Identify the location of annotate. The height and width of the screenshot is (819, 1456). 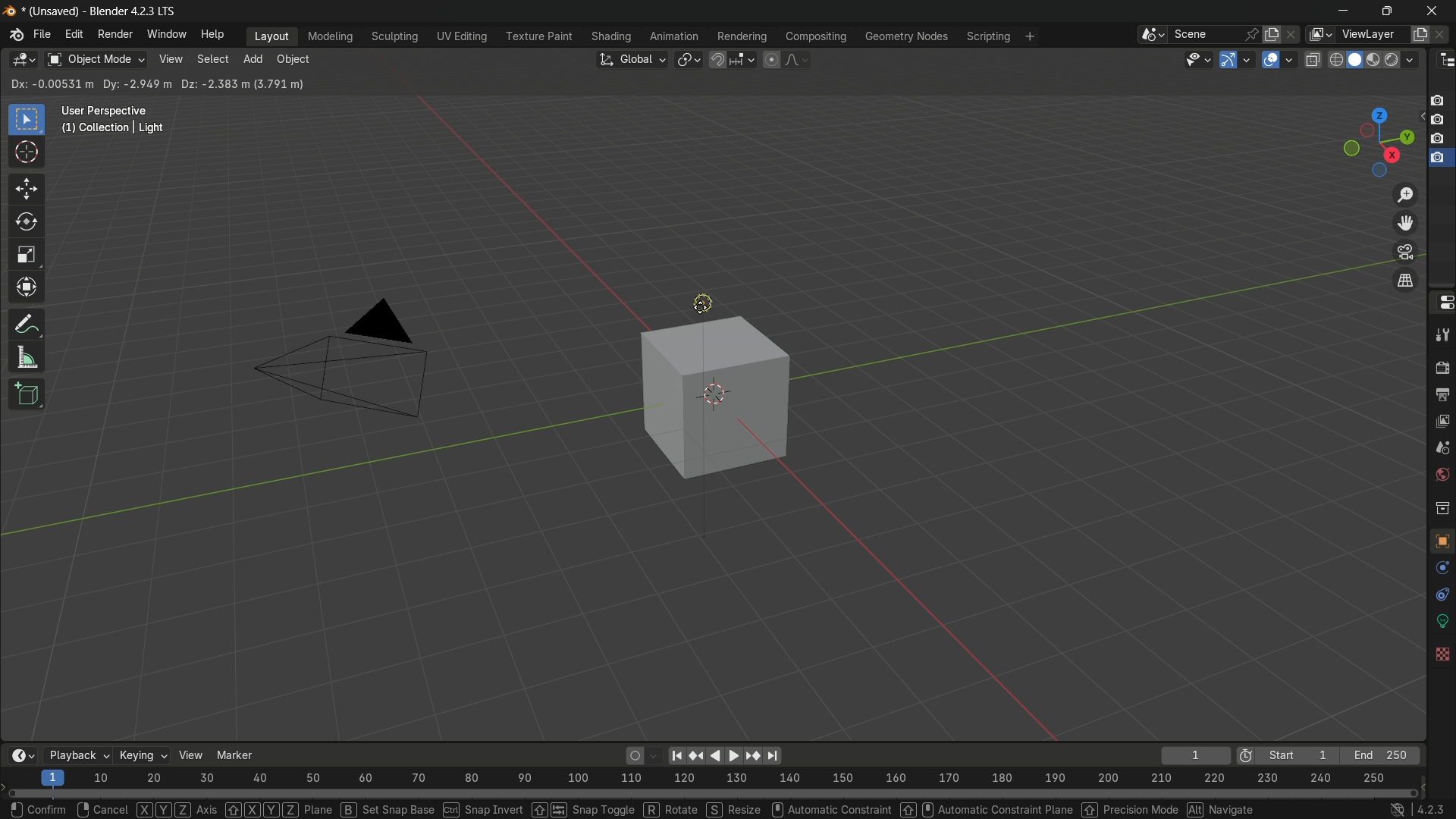
(30, 324).